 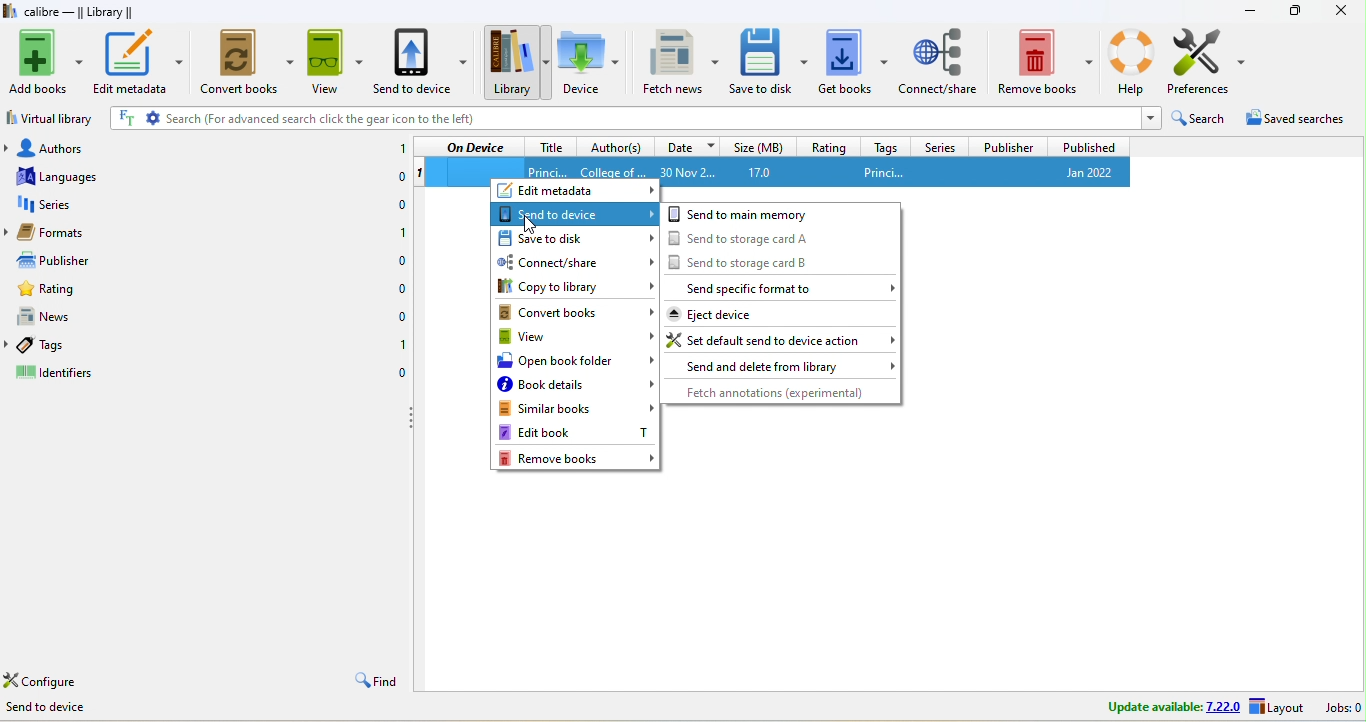 What do you see at coordinates (853, 60) in the screenshot?
I see `get books` at bounding box center [853, 60].